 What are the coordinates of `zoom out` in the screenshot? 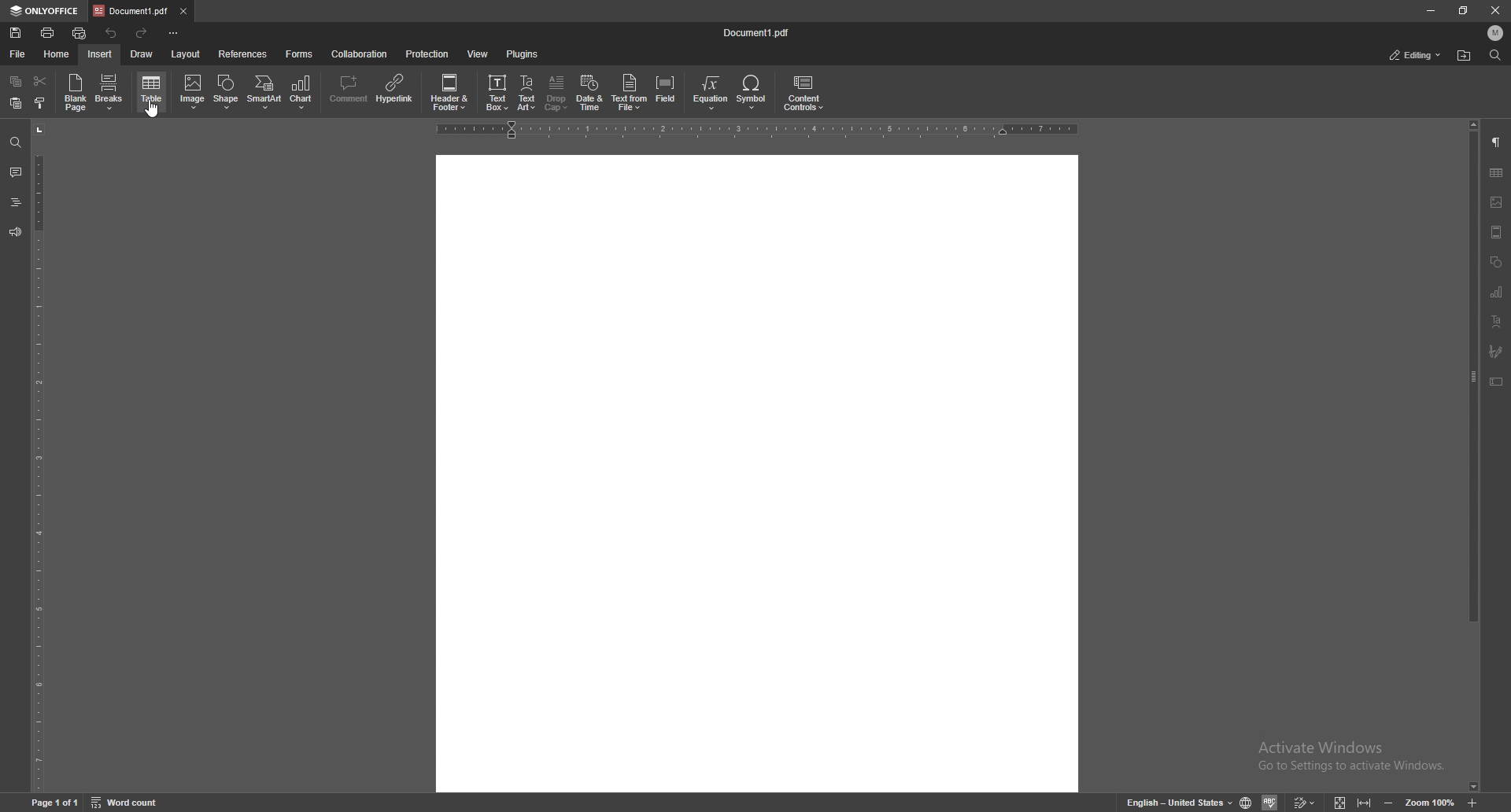 It's located at (1391, 802).